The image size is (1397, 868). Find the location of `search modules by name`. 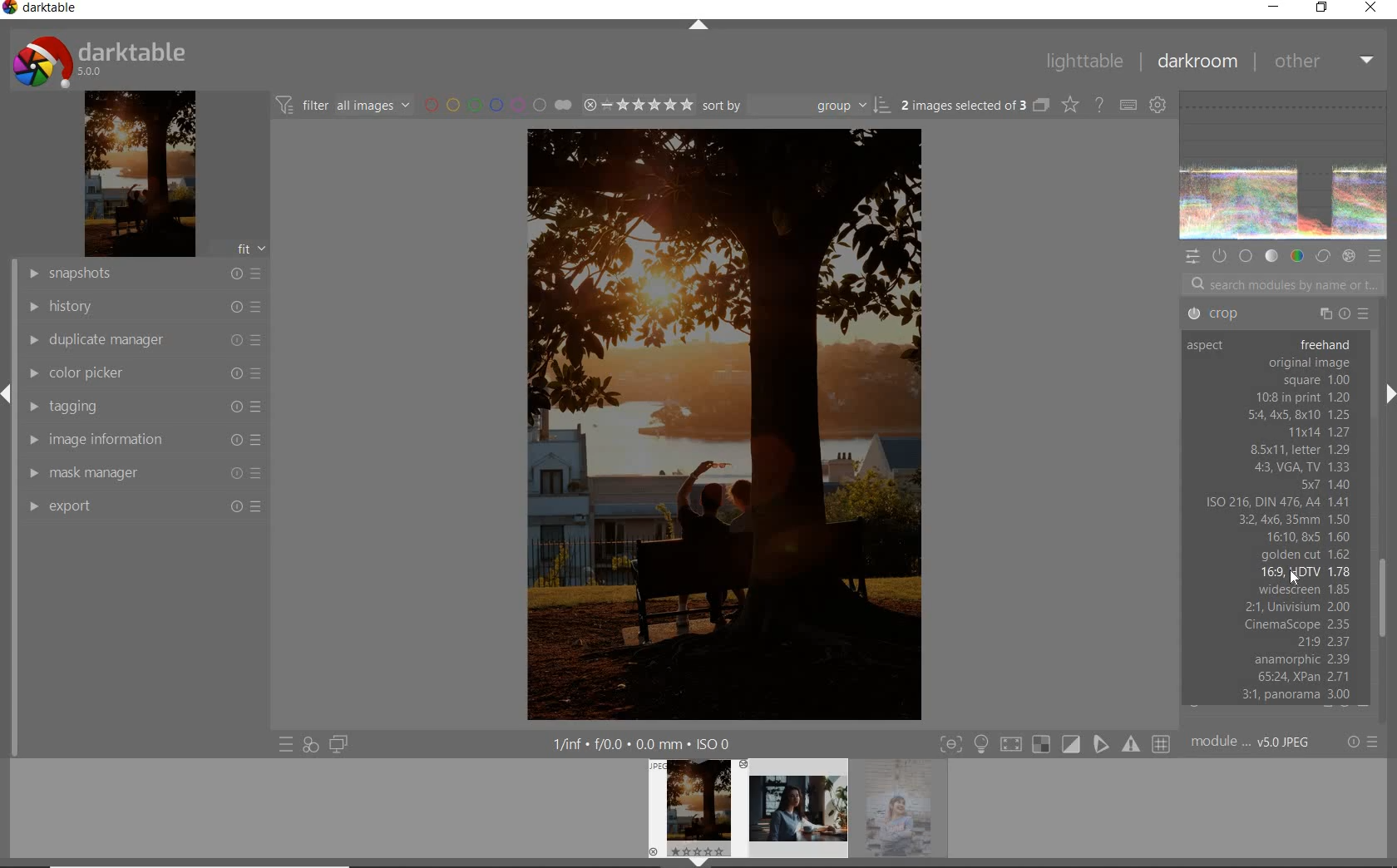

search modules by name is located at coordinates (1276, 284).